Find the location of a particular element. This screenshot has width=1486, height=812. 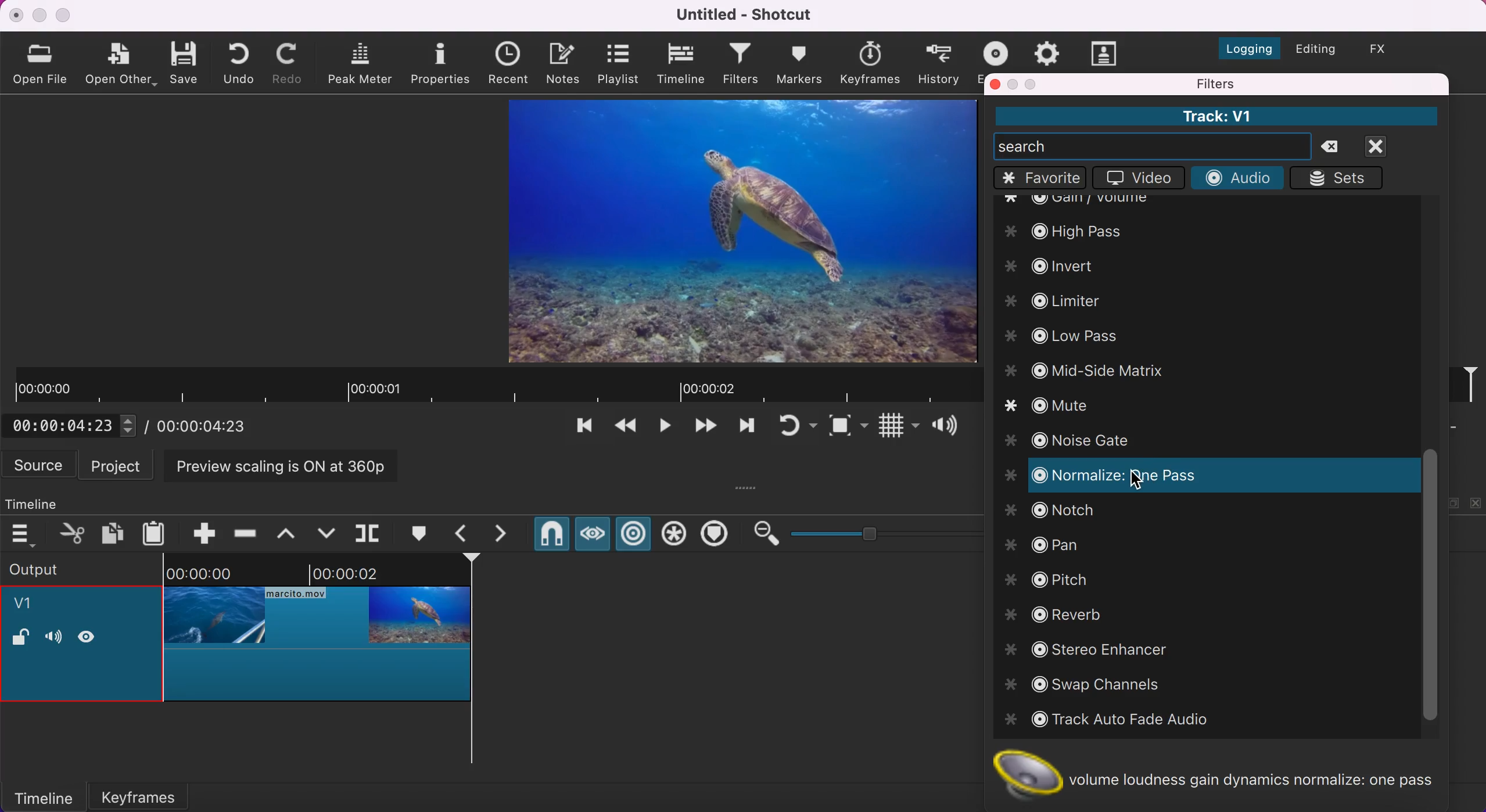

favorite is located at coordinates (1040, 178).